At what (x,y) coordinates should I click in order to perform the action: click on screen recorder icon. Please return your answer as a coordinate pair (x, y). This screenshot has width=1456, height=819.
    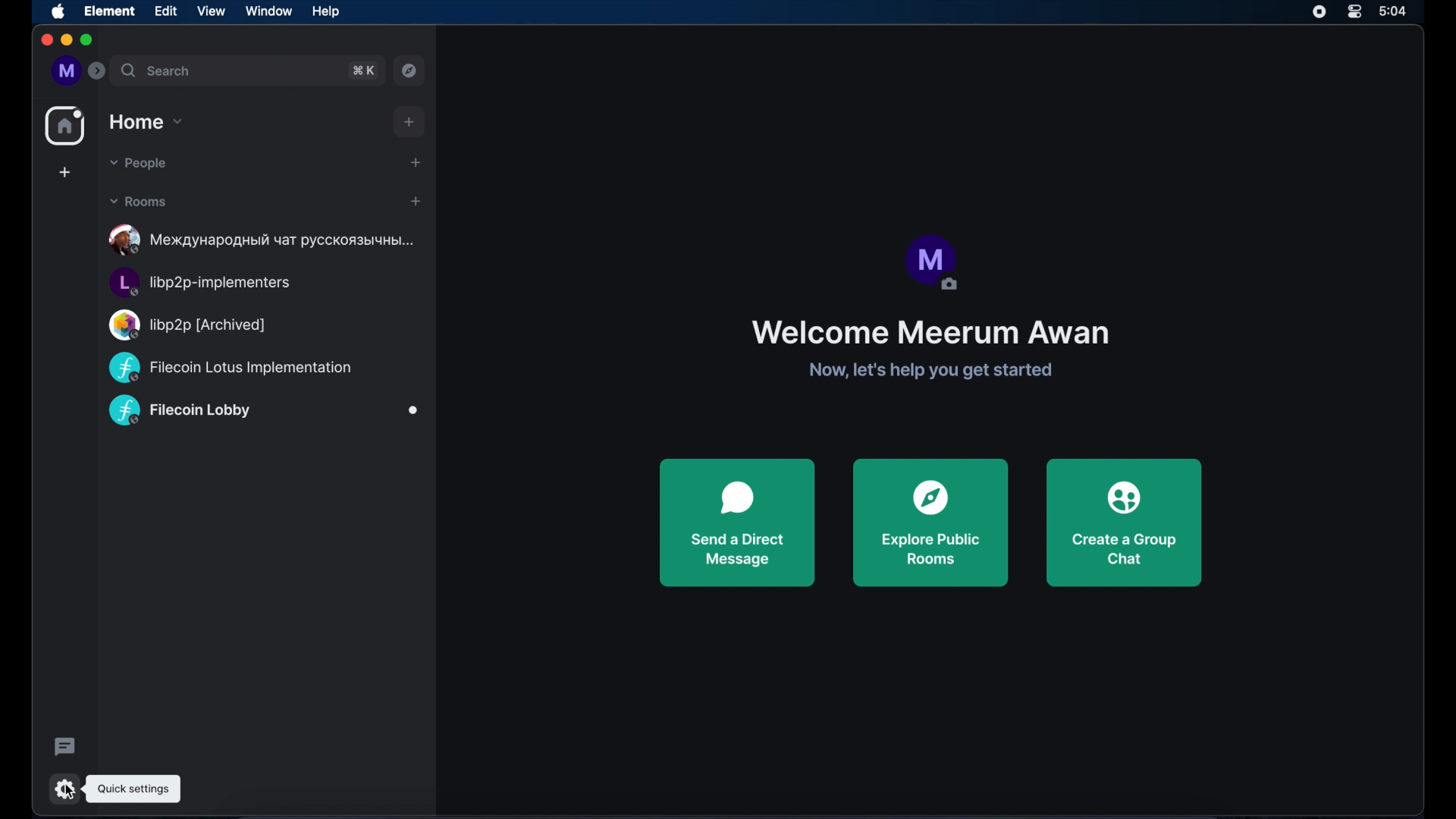
    Looking at the image, I should click on (1319, 12).